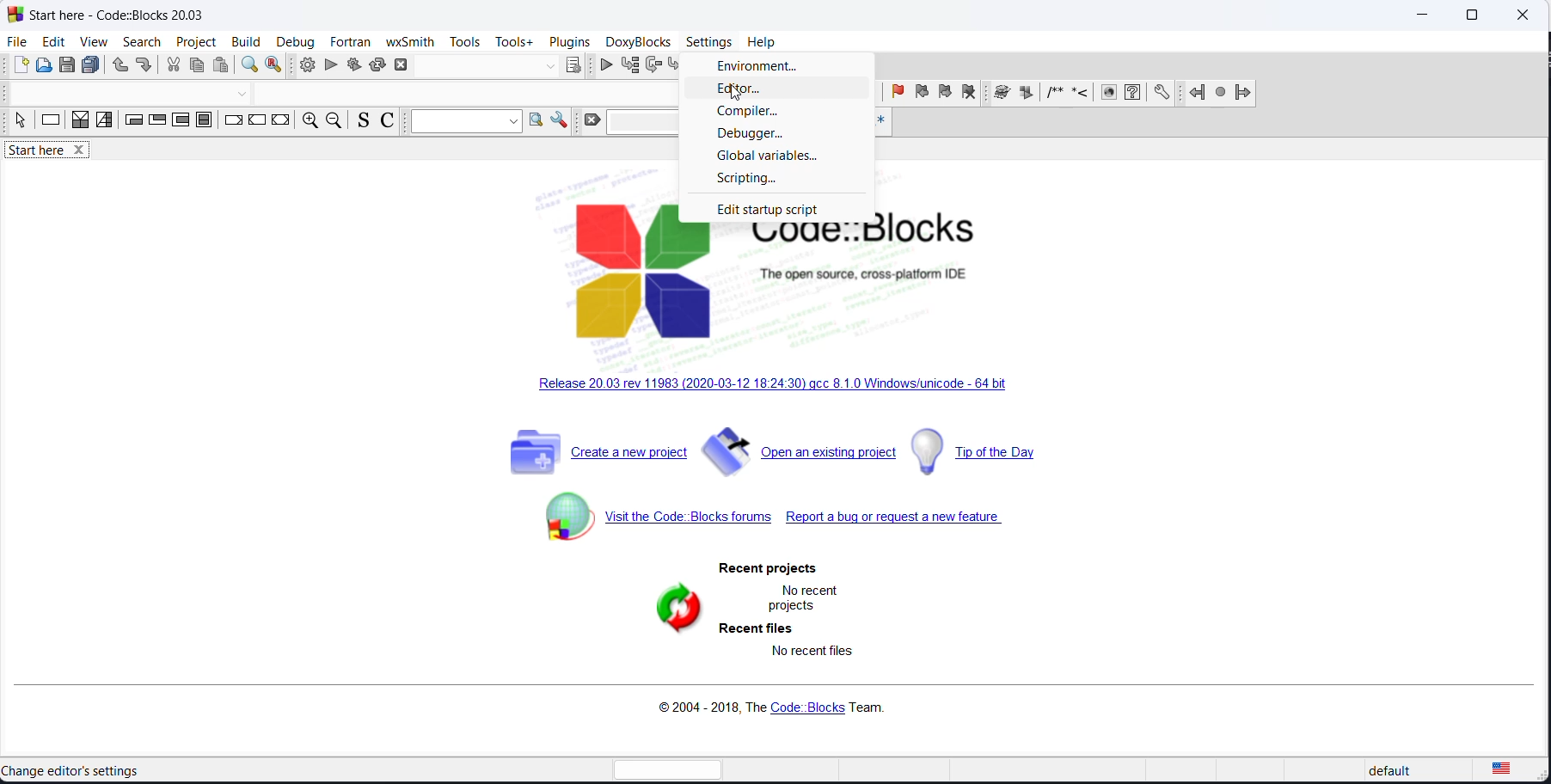 The height and width of the screenshot is (784, 1551). Describe the element at coordinates (51, 123) in the screenshot. I see `instruction` at that location.